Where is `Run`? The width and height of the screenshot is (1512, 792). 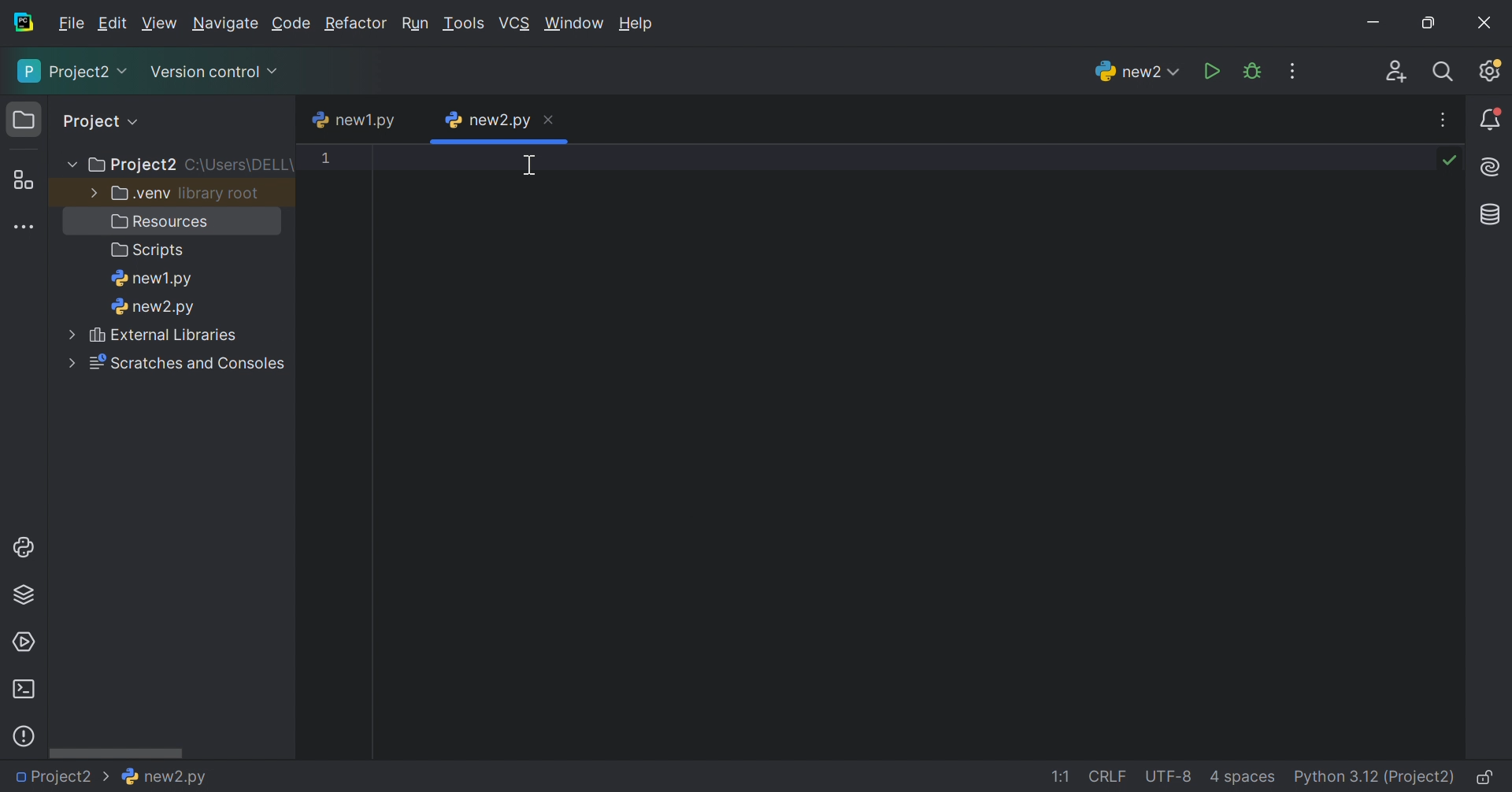 Run is located at coordinates (418, 24).